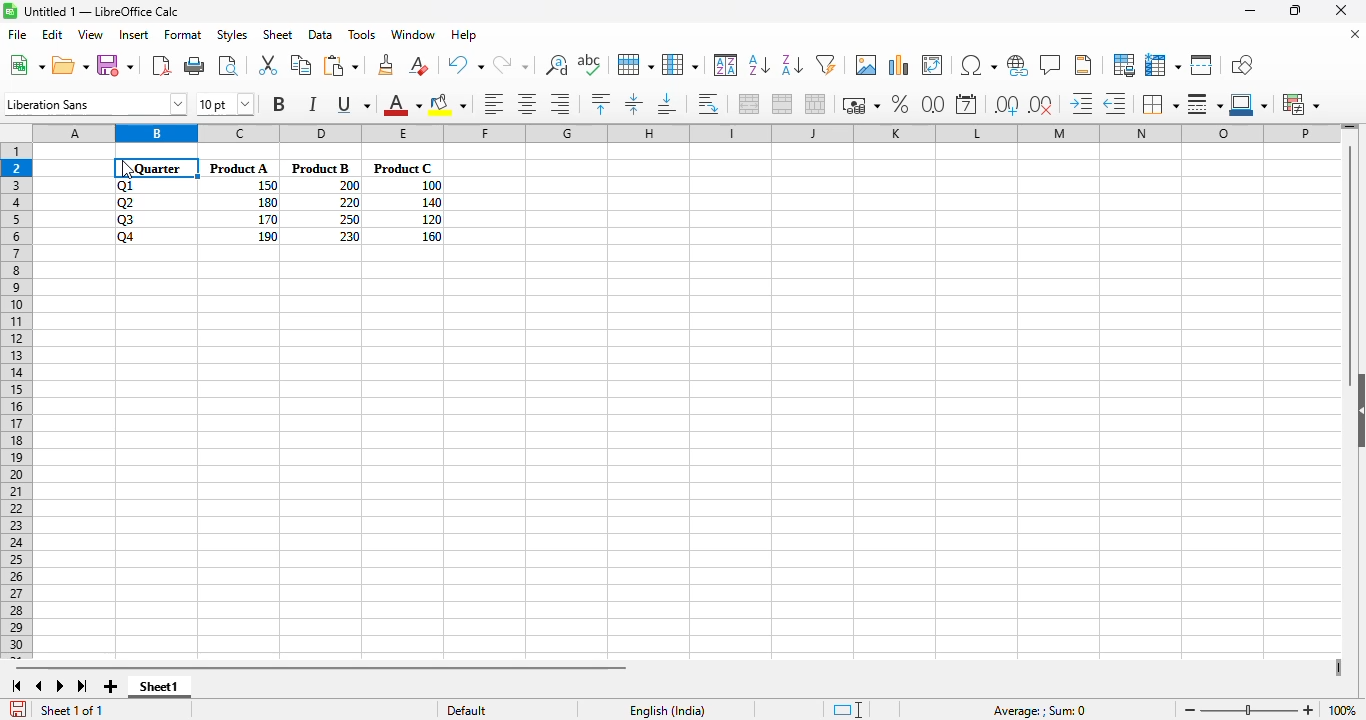 The height and width of the screenshot is (720, 1366). Describe the element at coordinates (128, 169) in the screenshot. I see `Cursor` at that location.